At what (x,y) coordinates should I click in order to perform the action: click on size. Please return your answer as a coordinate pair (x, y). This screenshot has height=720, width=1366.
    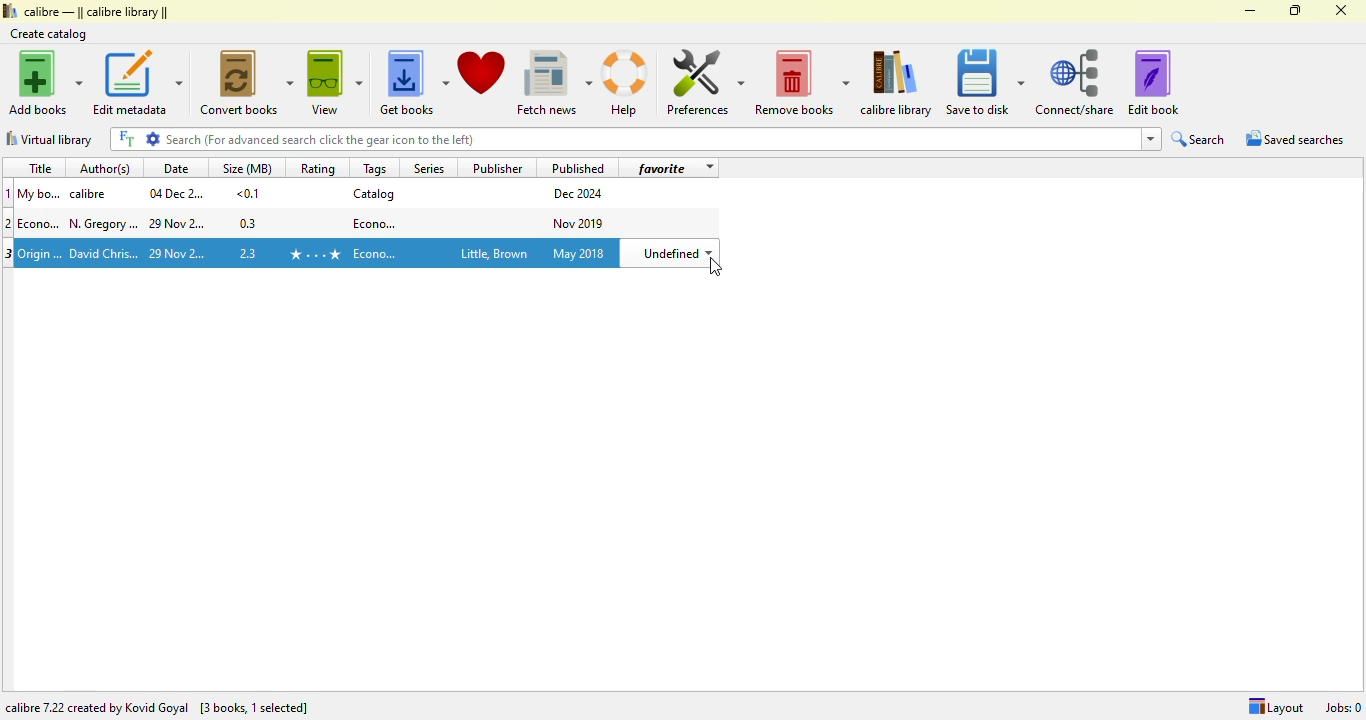
    Looking at the image, I should click on (248, 193).